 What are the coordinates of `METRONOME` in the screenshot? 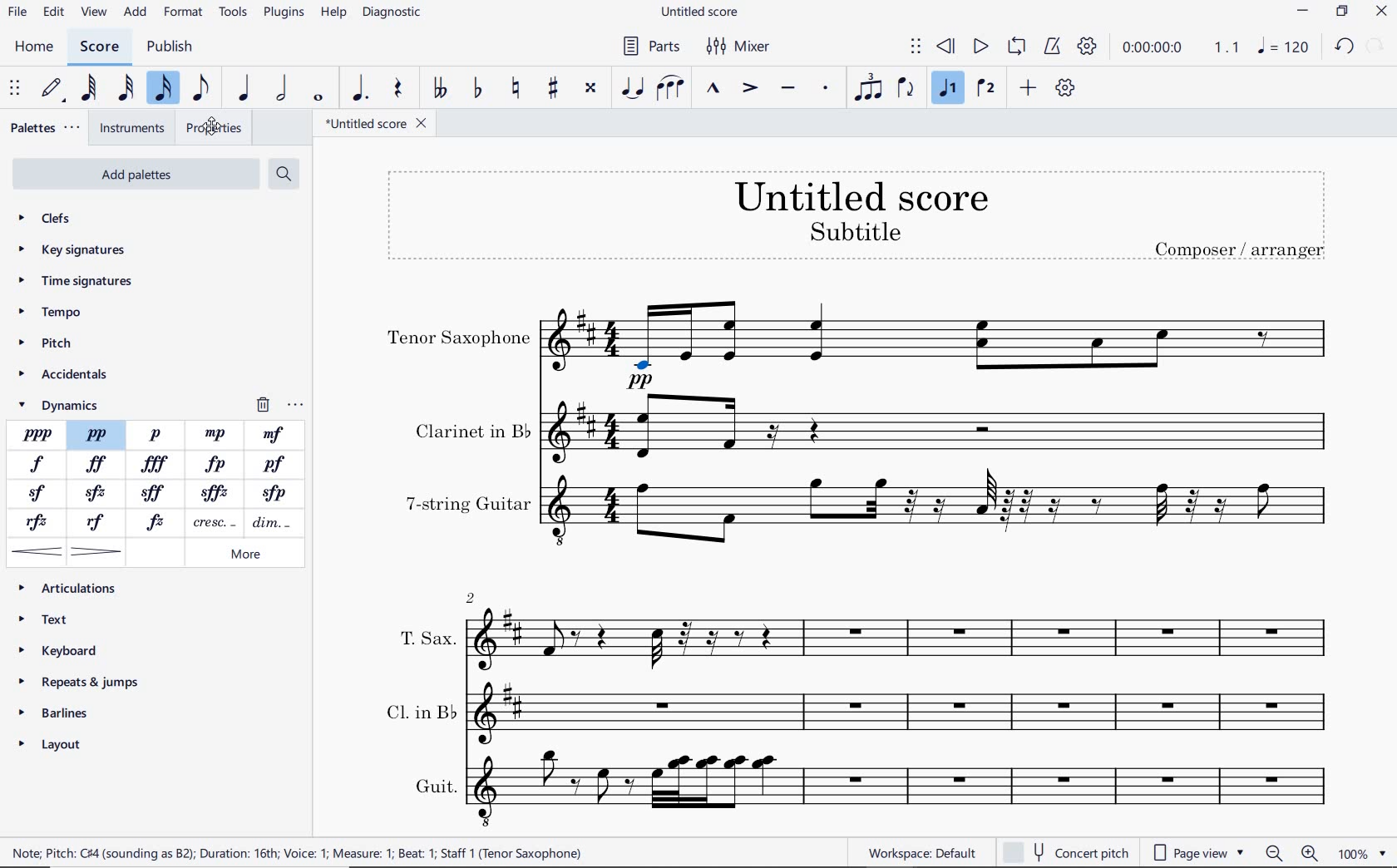 It's located at (1054, 47).